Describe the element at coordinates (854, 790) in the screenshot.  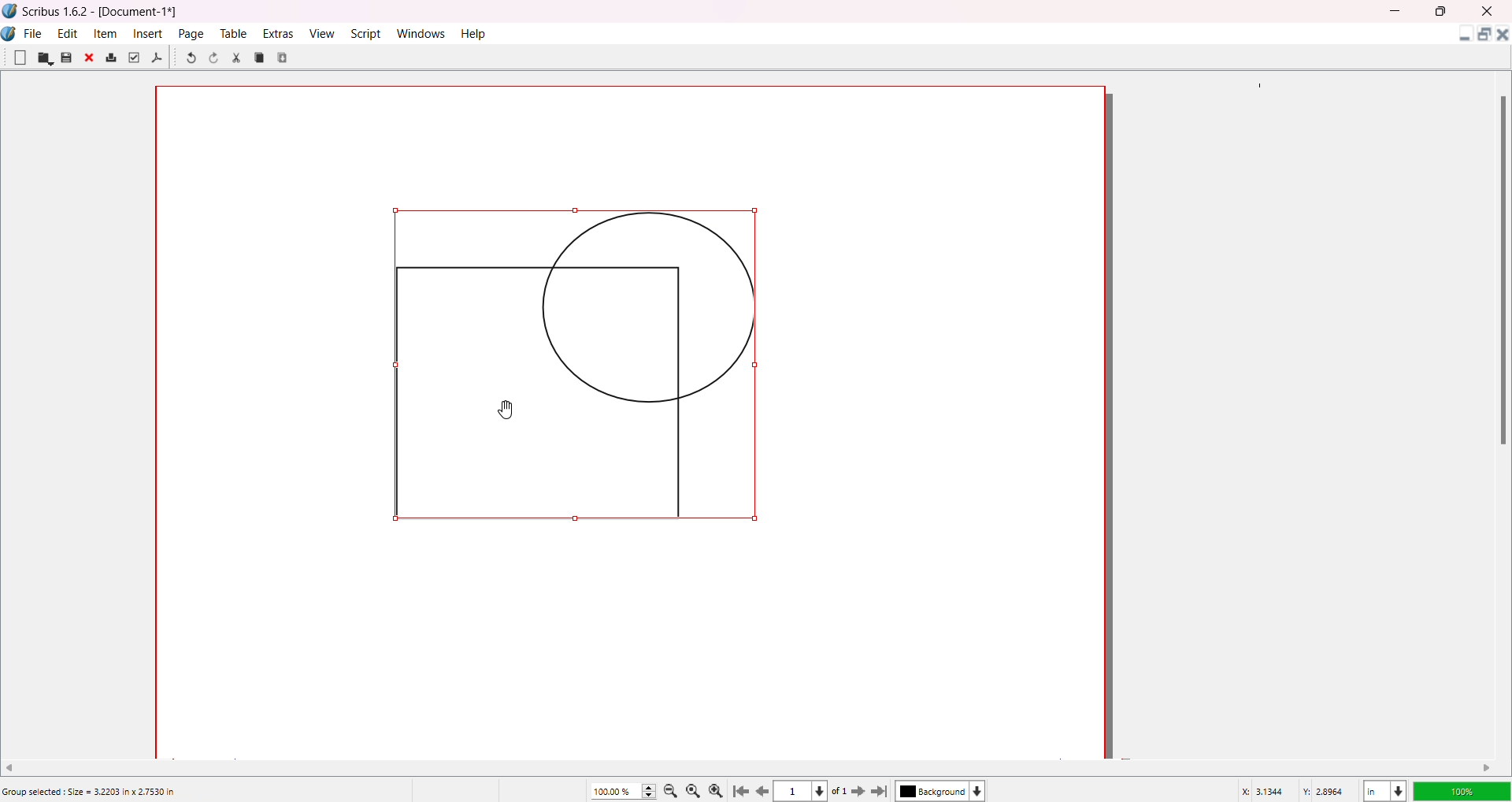
I see `Next` at that location.